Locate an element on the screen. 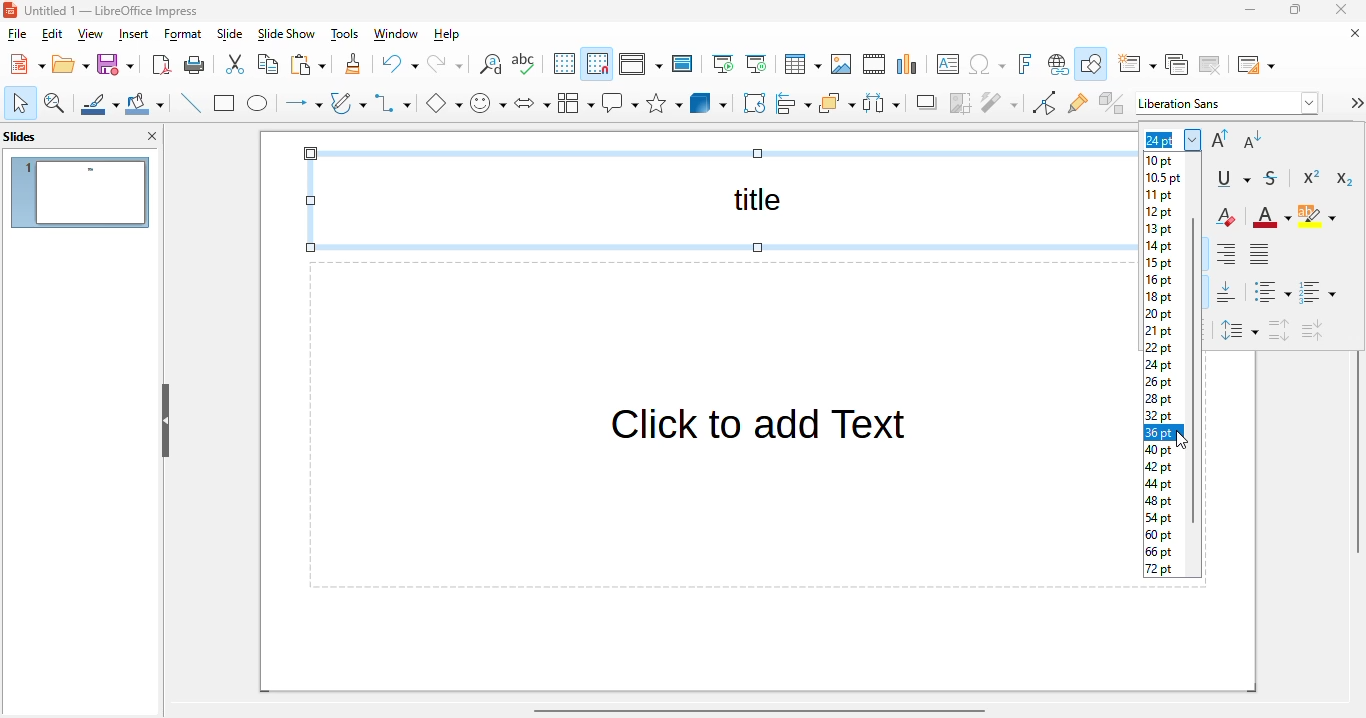 The height and width of the screenshot is (718, 1366). vertical scroll bar is located at coordinates (1195, 372).